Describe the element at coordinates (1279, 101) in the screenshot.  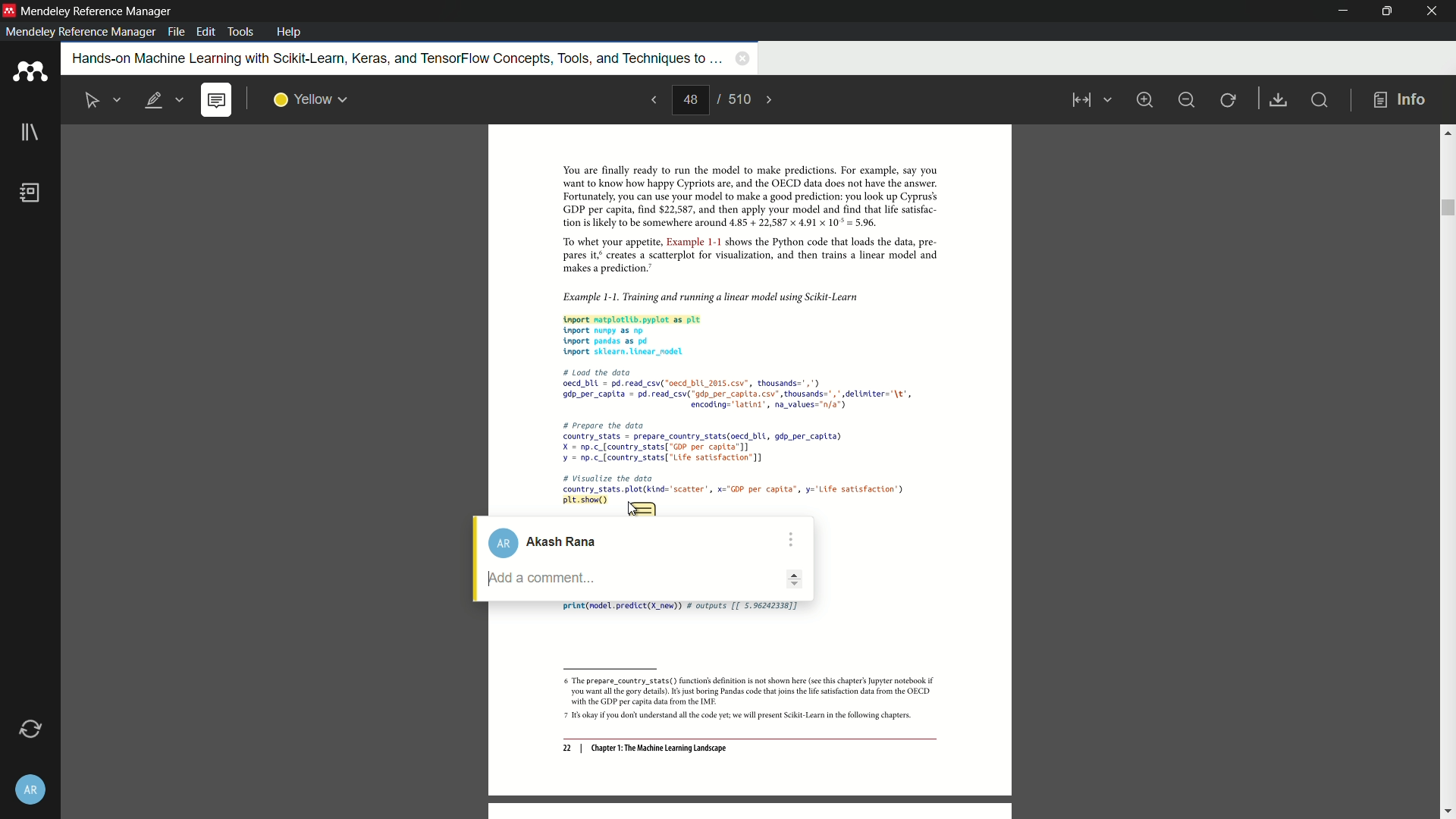
I see `save` at that location.